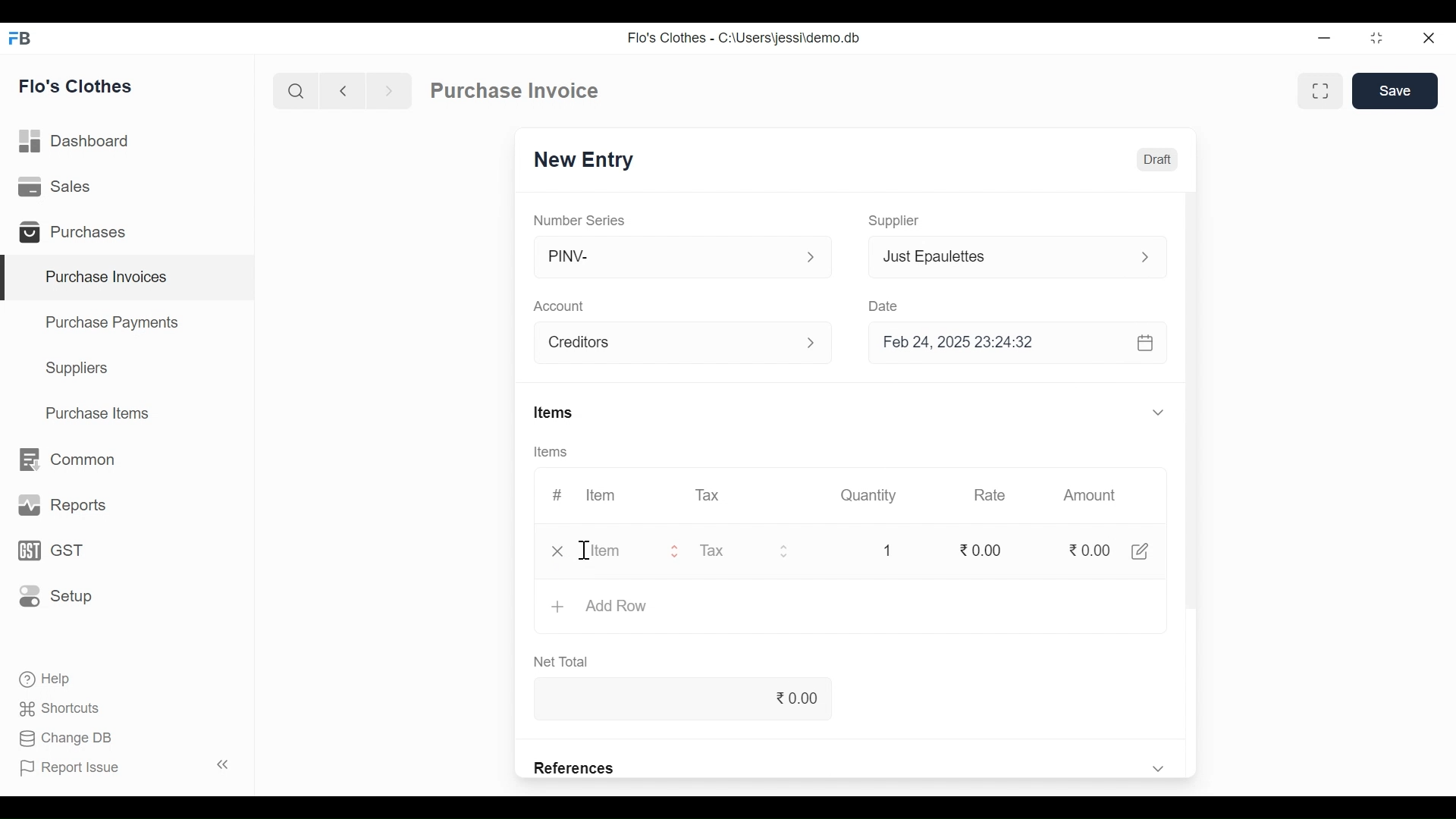 Image resolution: width=1456 pixels, height=819 pixels. I want to click on Change DB, so click(67, 738).